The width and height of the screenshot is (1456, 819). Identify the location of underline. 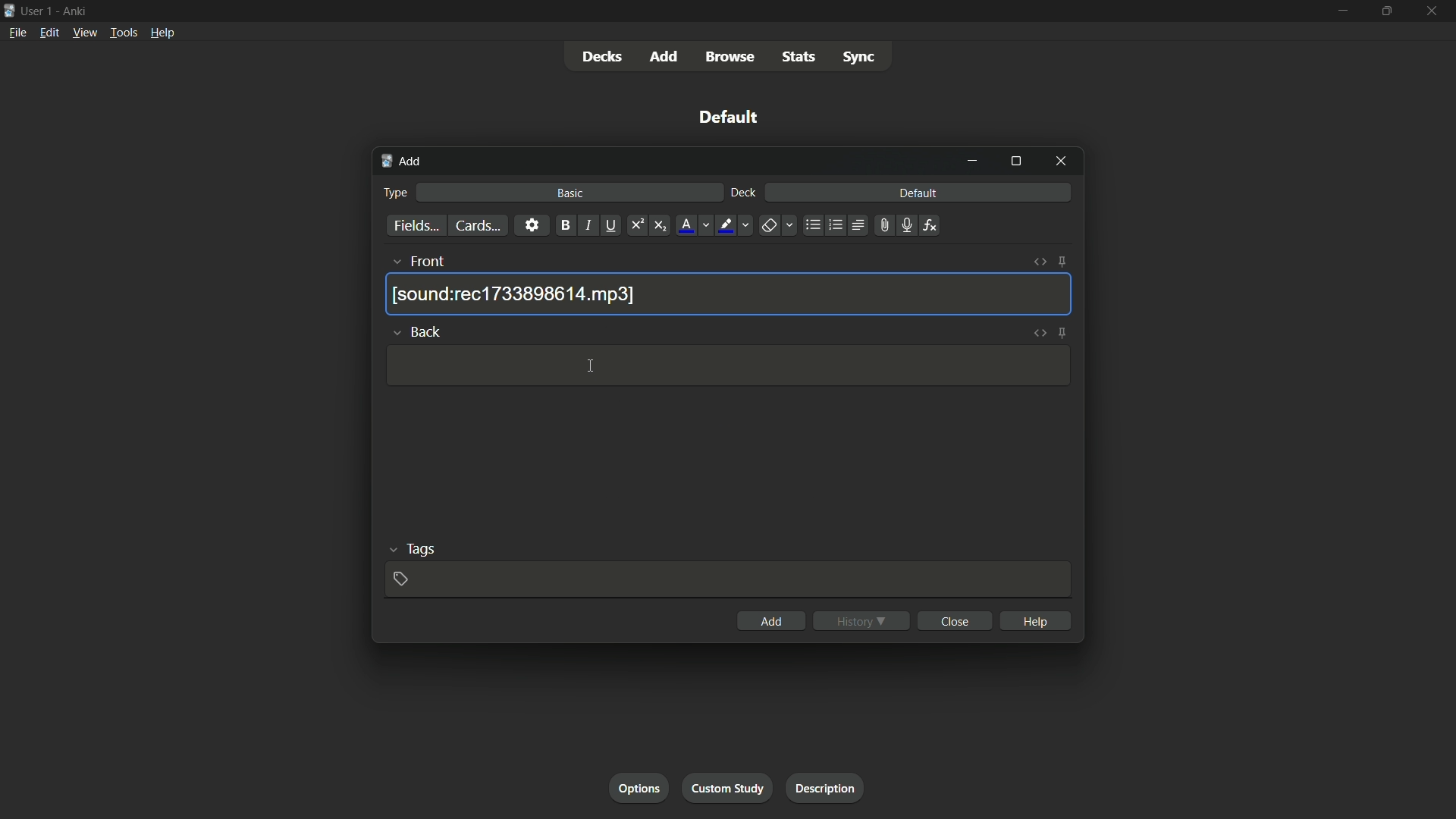
(613, 225).